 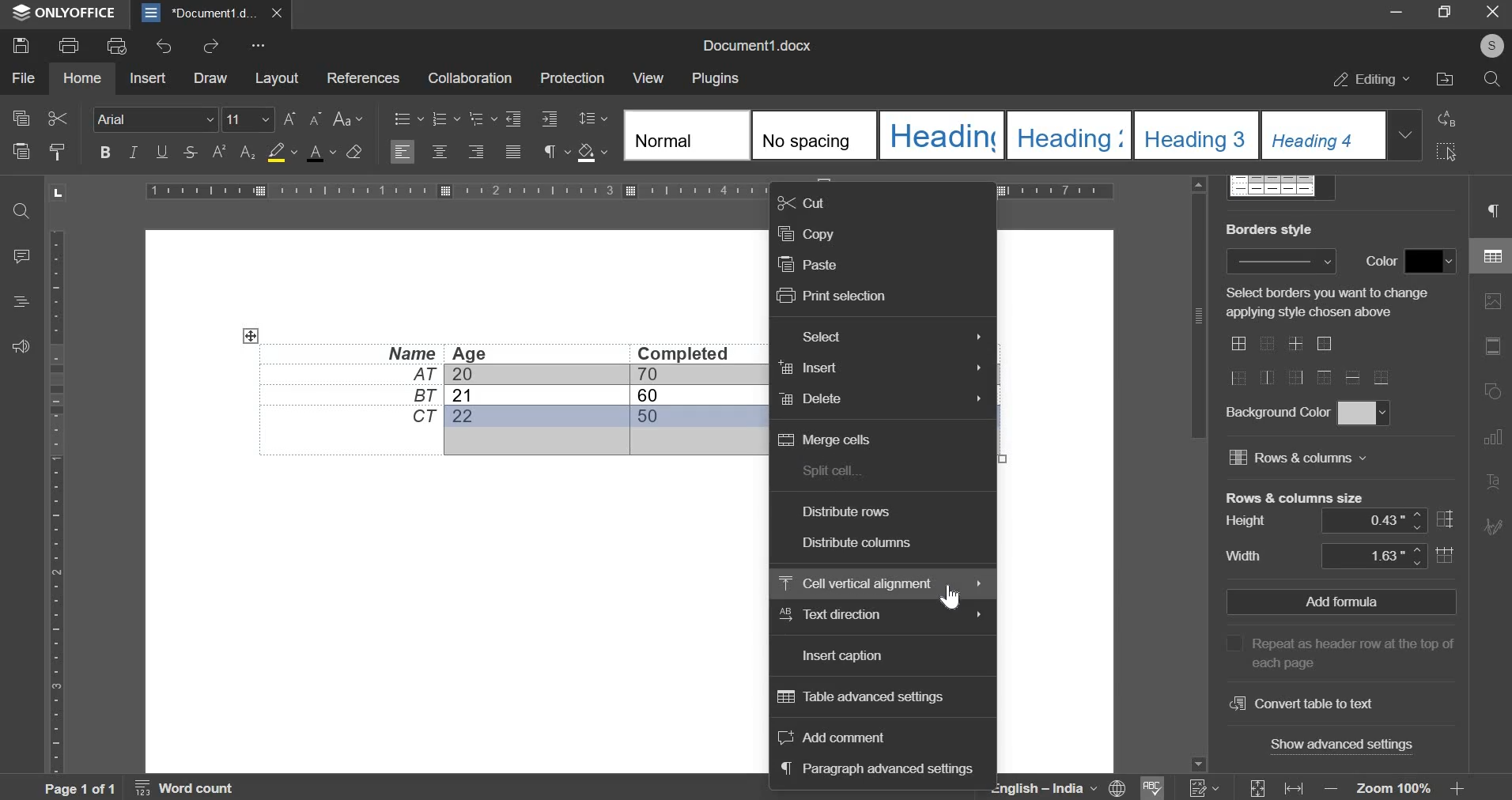 I want to click on vertical slider, so click(x=1199, y=474).